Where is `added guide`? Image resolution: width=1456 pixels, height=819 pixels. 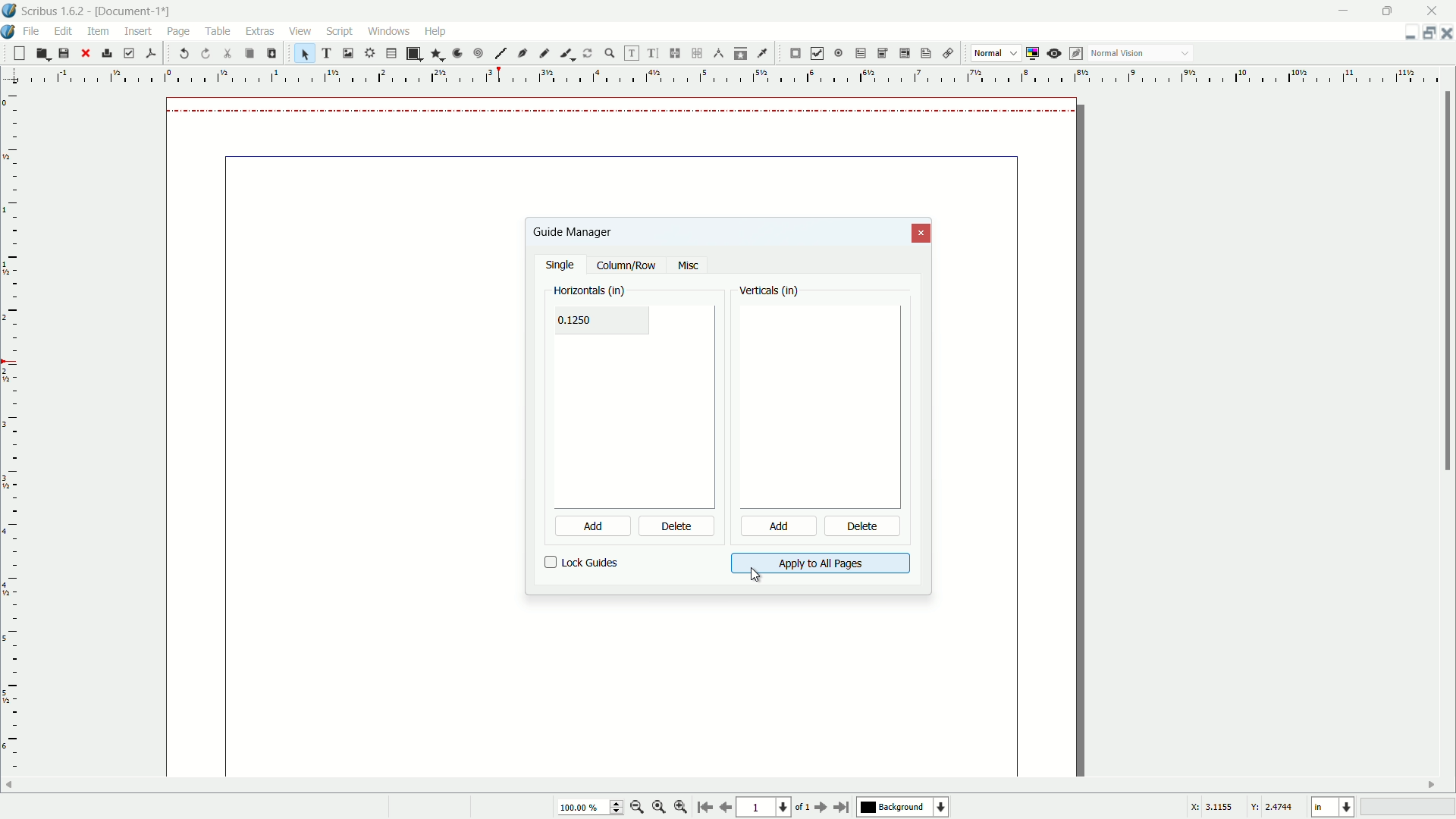 added guide is located at coordinates (626, 110).